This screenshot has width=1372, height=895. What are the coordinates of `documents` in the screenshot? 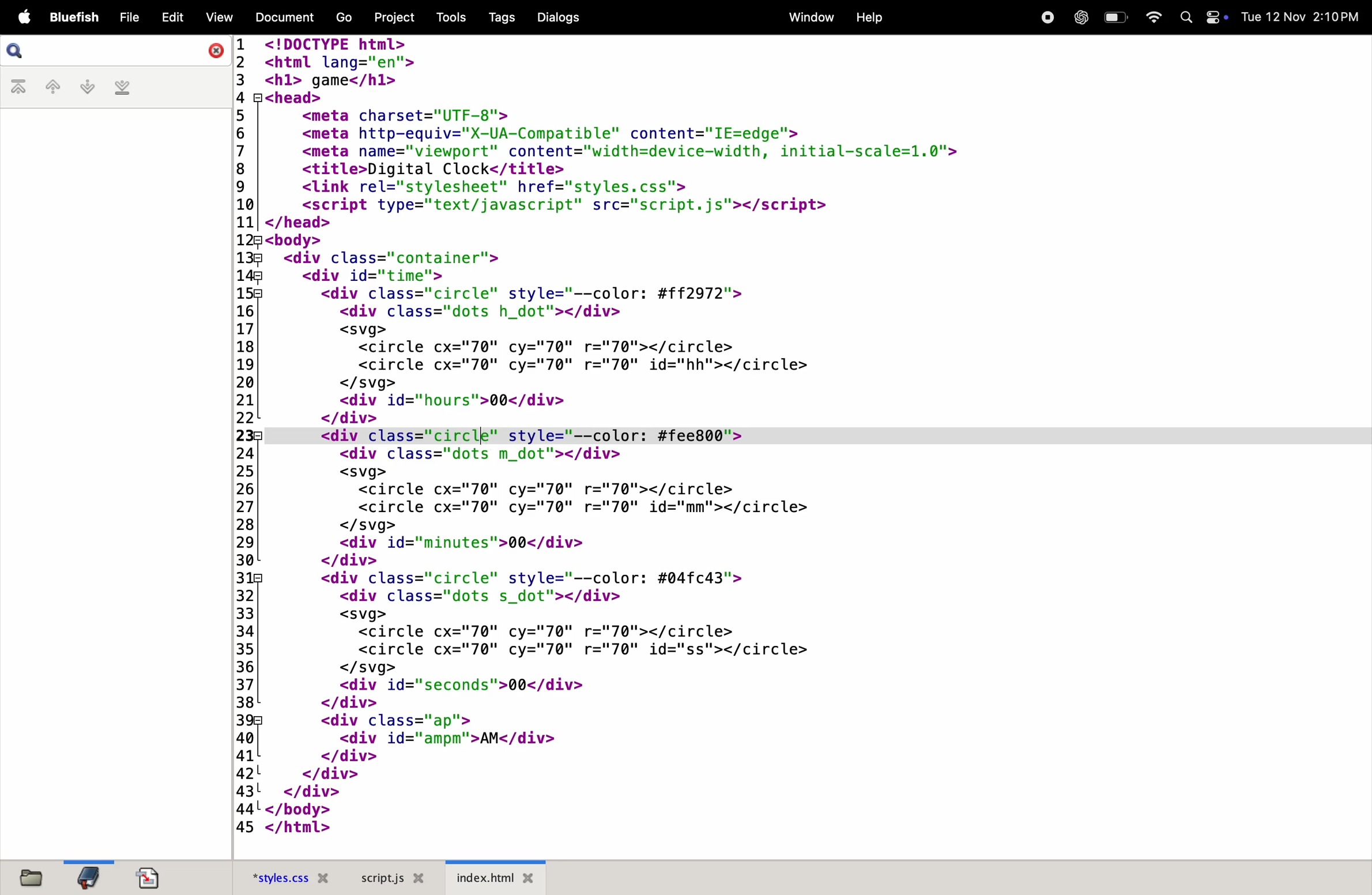 It's located at (147, 877).